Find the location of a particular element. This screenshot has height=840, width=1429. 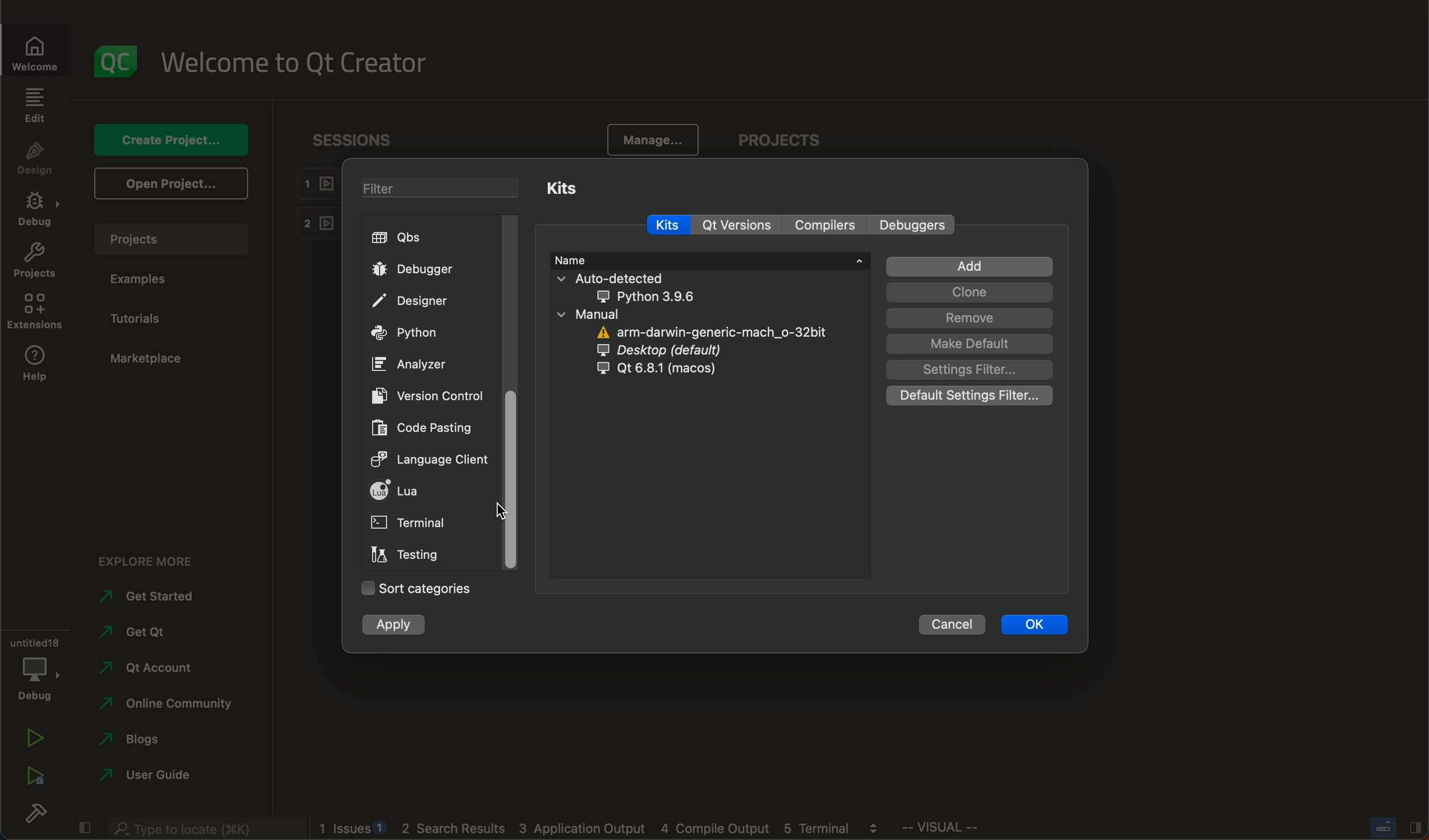

welcomw is located at coordinates (39, 46).